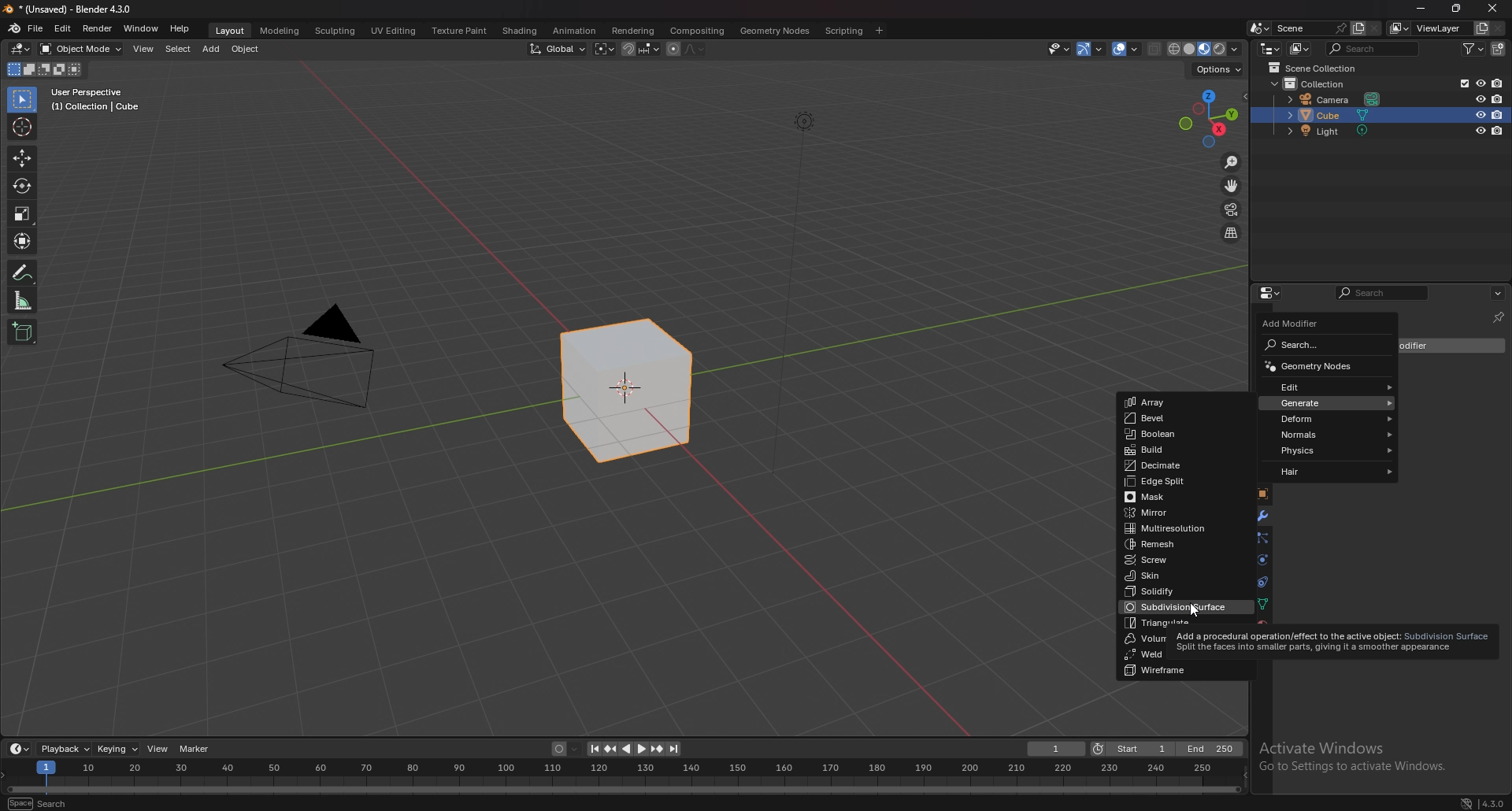 This screenshot has height=811, width=1512. Describe the element at coordinates (578, 29) in the screenshot. I see `animation` at that location.